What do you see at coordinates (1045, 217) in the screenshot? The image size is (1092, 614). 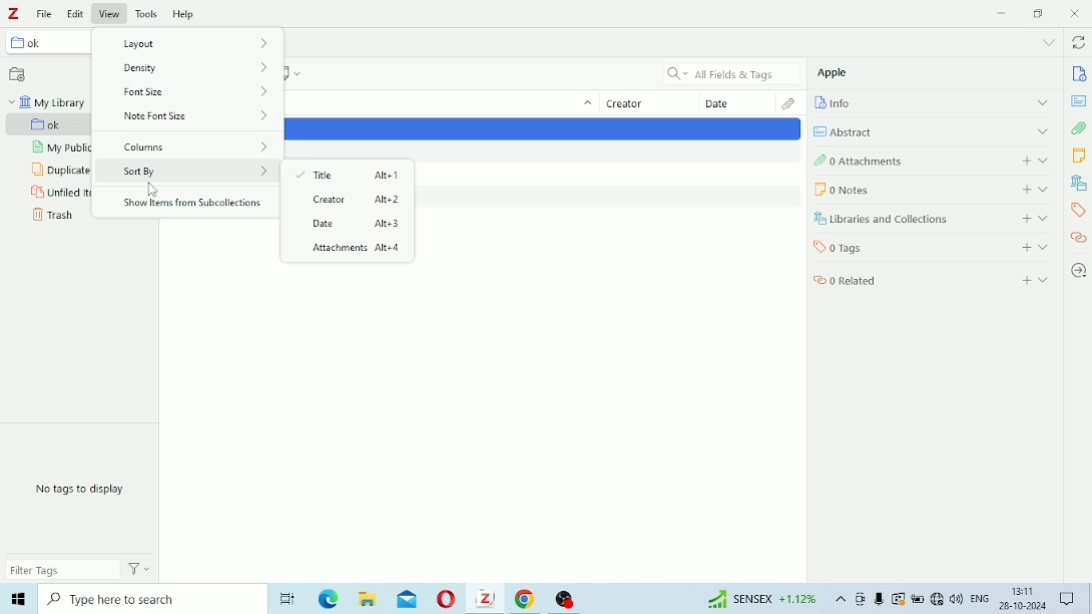 I see `expand` at bounding box center [1045, 217].